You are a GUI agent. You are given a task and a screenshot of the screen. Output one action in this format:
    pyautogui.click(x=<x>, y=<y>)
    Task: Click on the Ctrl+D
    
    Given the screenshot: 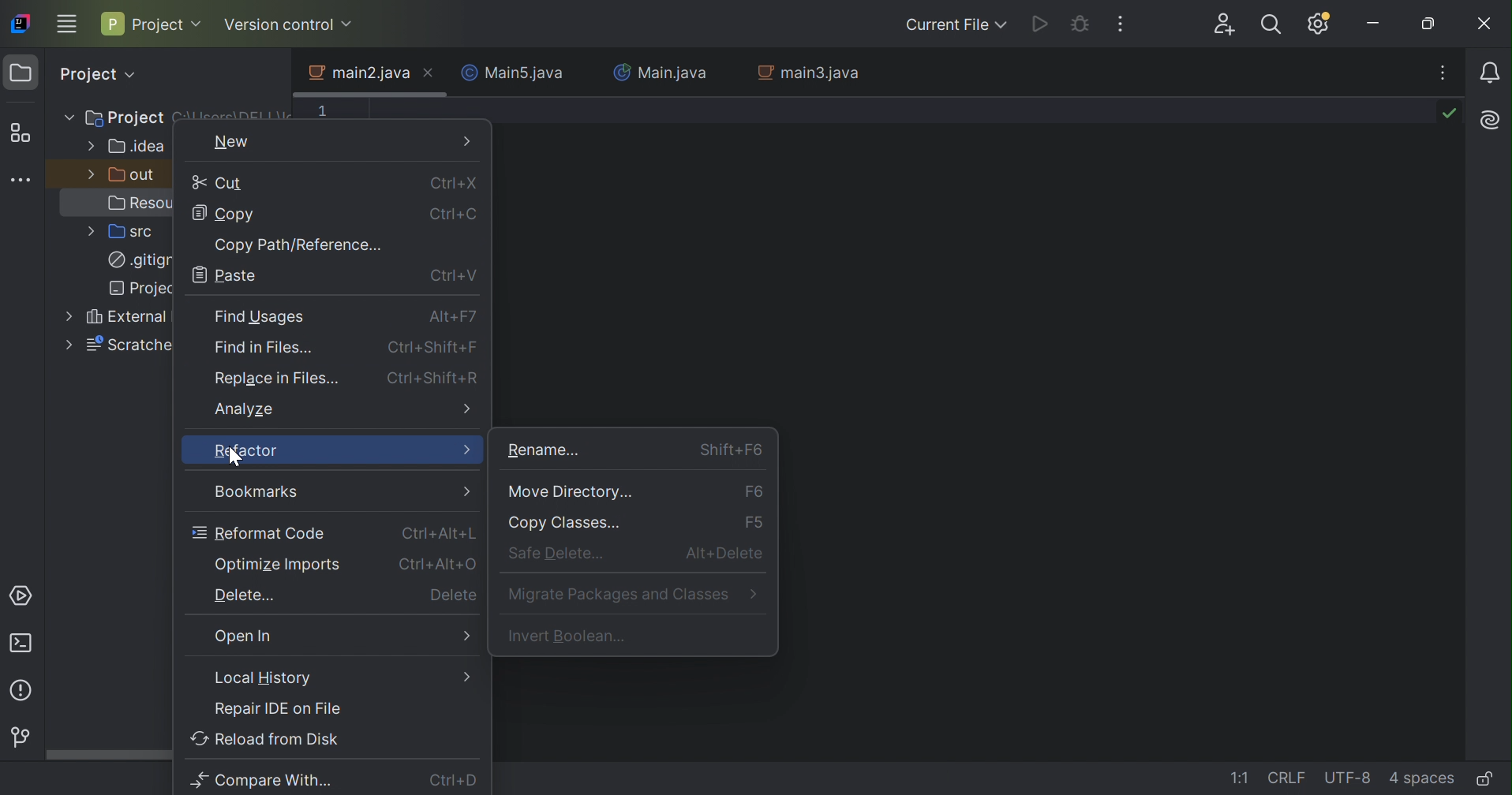 What is the action you would take?
    pyautogui.click(x=455, y=781)
    